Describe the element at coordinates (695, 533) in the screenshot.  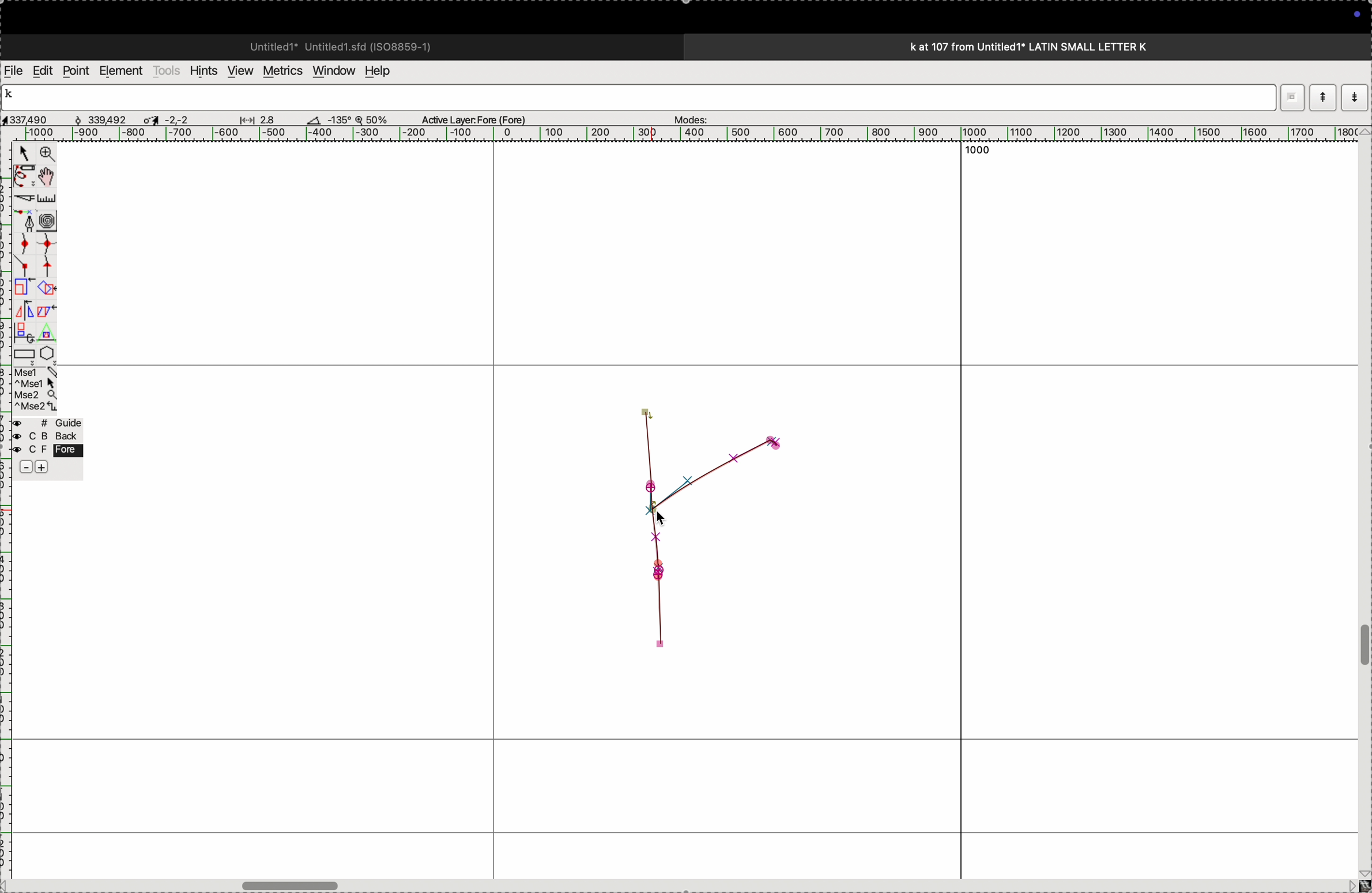
I see `random shape` at that location.